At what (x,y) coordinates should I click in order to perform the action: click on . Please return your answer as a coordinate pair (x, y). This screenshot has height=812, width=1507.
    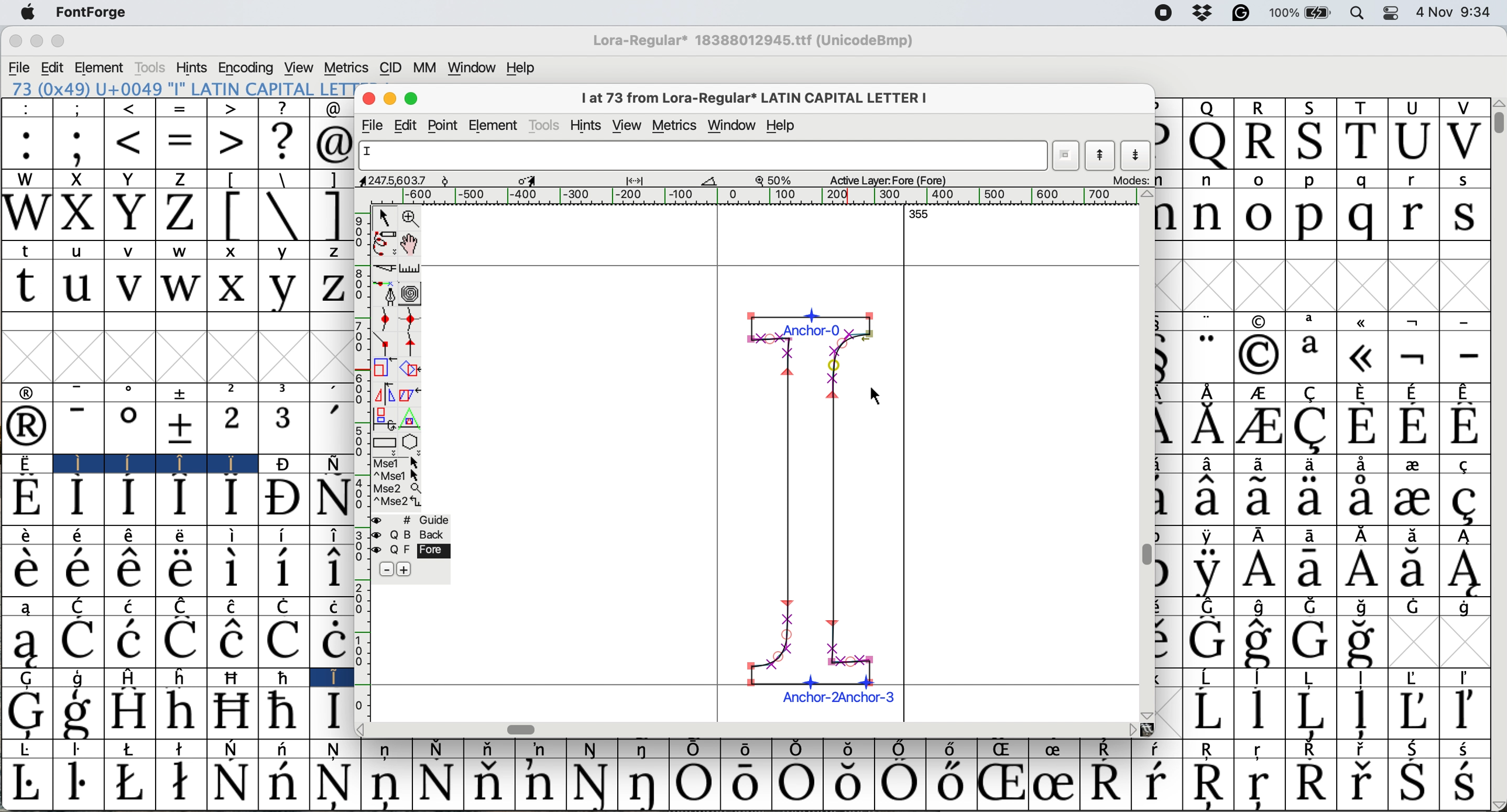
    Looking at the image, I should click on (918, 215).